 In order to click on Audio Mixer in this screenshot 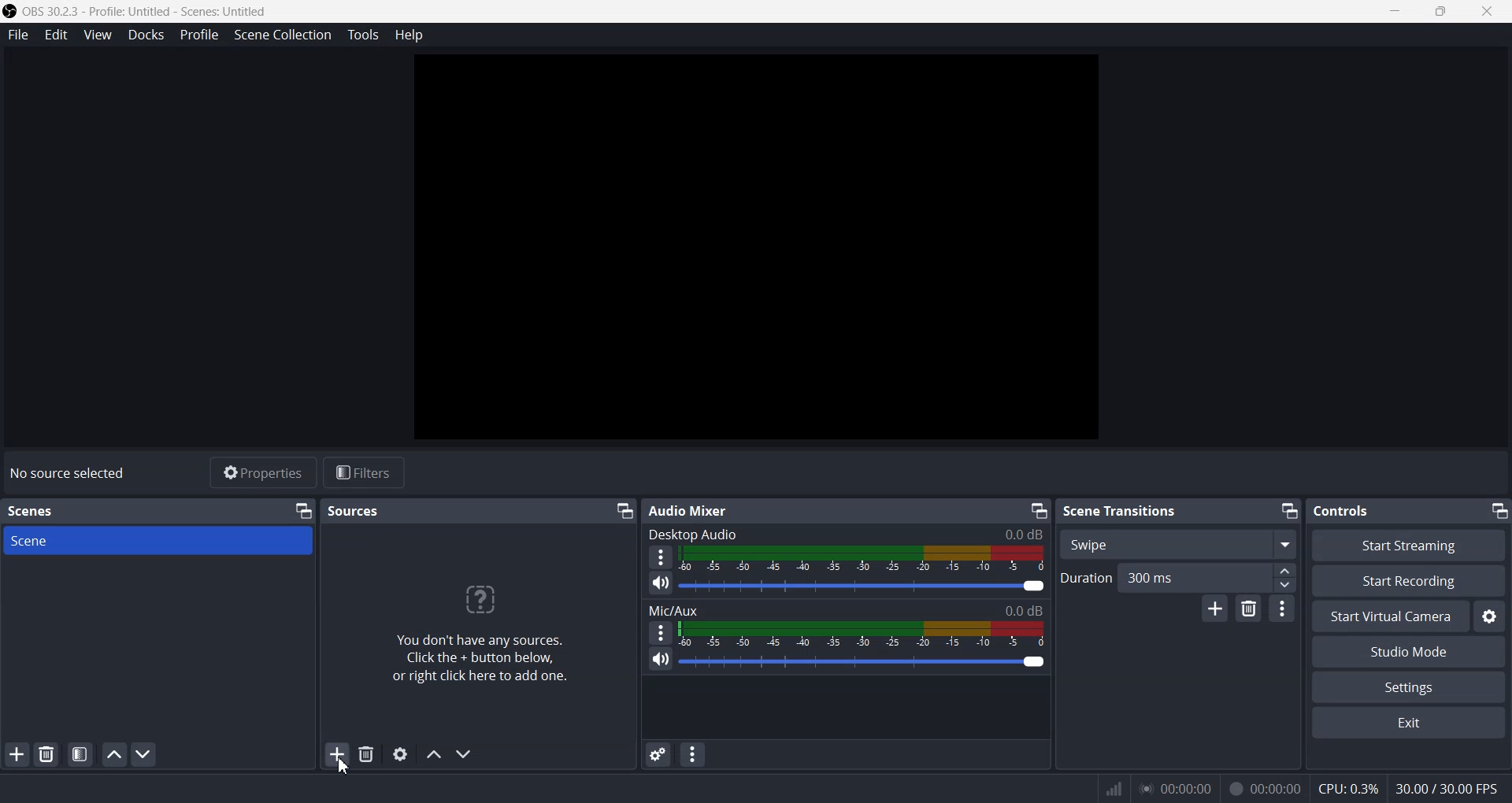, I will do `click(687, 510)`.